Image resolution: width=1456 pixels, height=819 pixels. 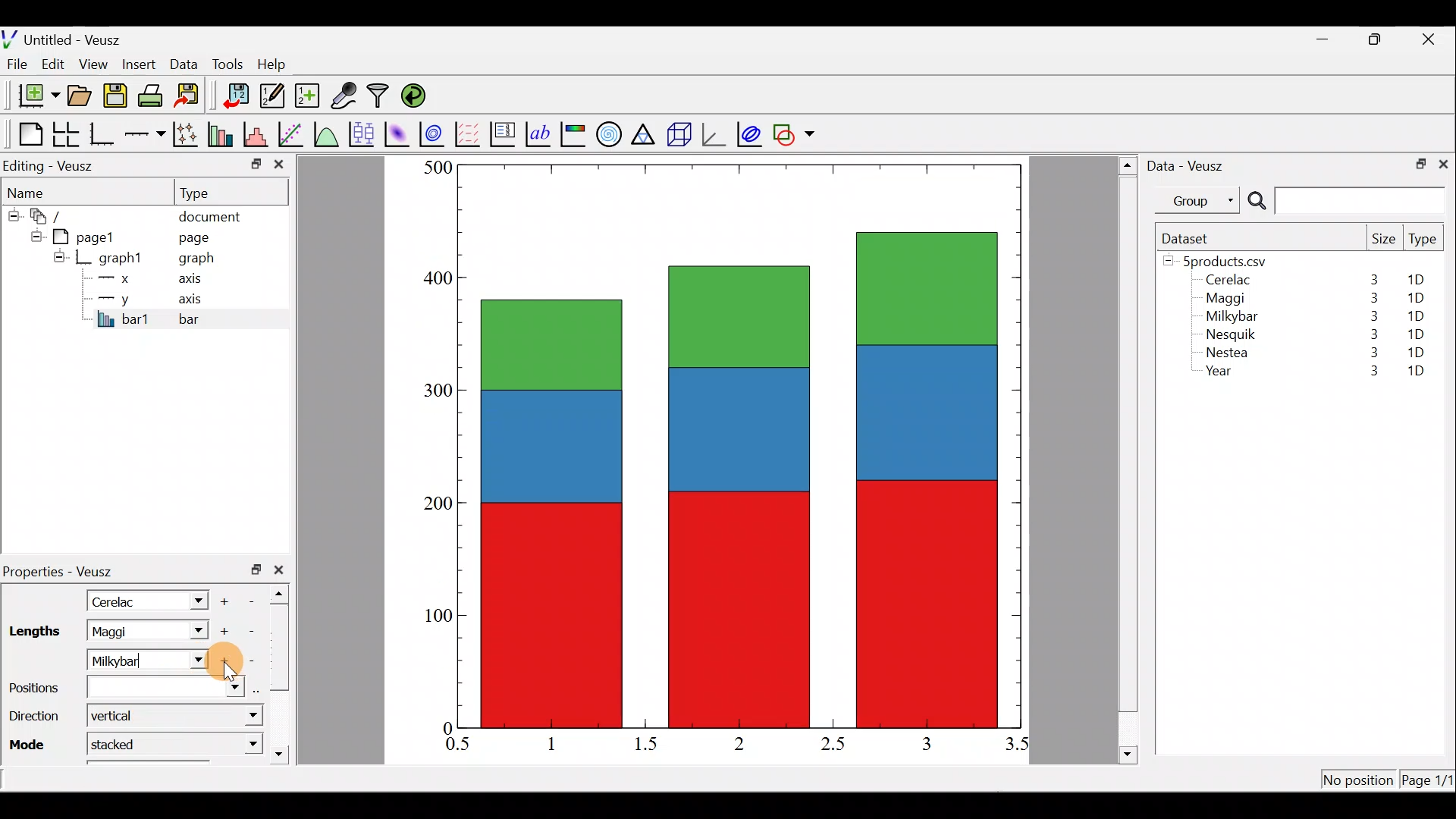 I want to click on graph, so click(x=196, y=260).